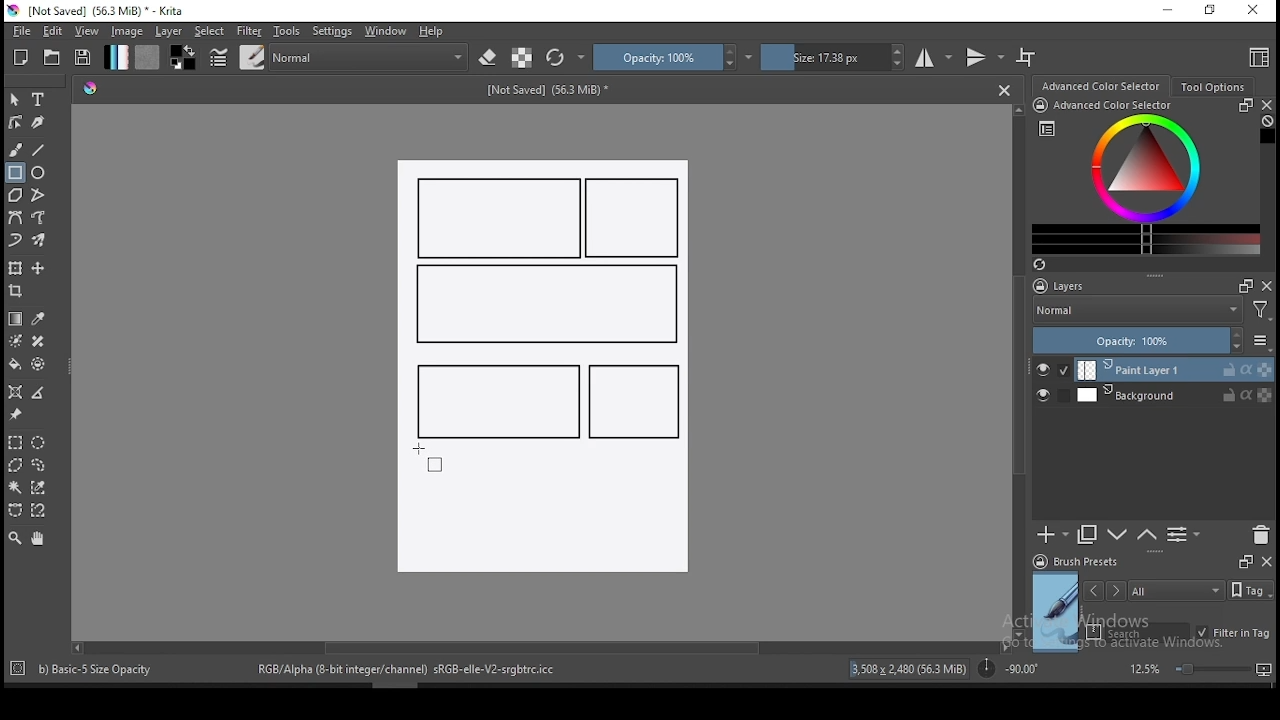  What do you see at coordinates (15, 99) in the screenshot?
I see `select shapes tool` at bounding box center [15, 99].